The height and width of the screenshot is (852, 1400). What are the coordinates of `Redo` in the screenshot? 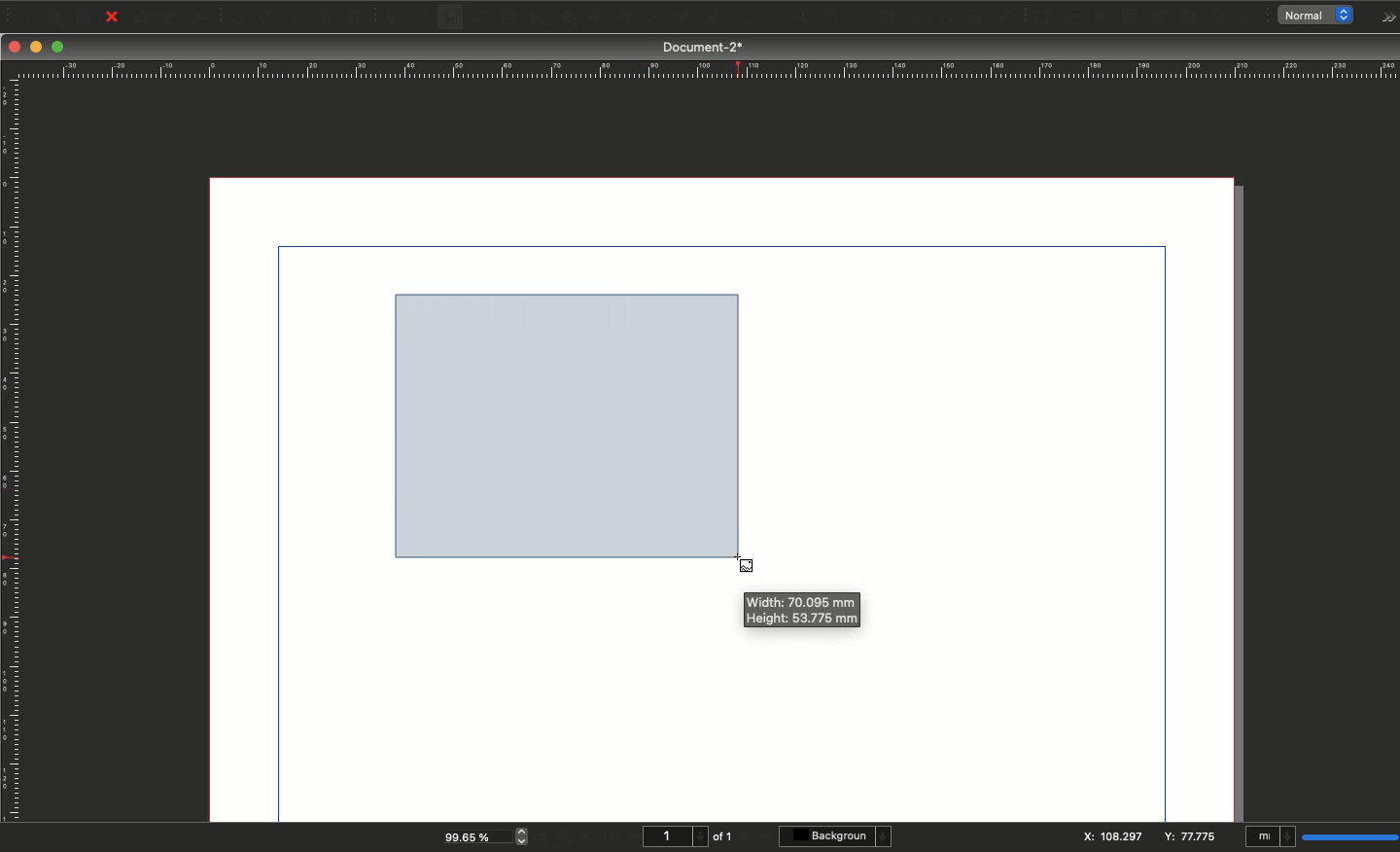 It's located at (267, 18).